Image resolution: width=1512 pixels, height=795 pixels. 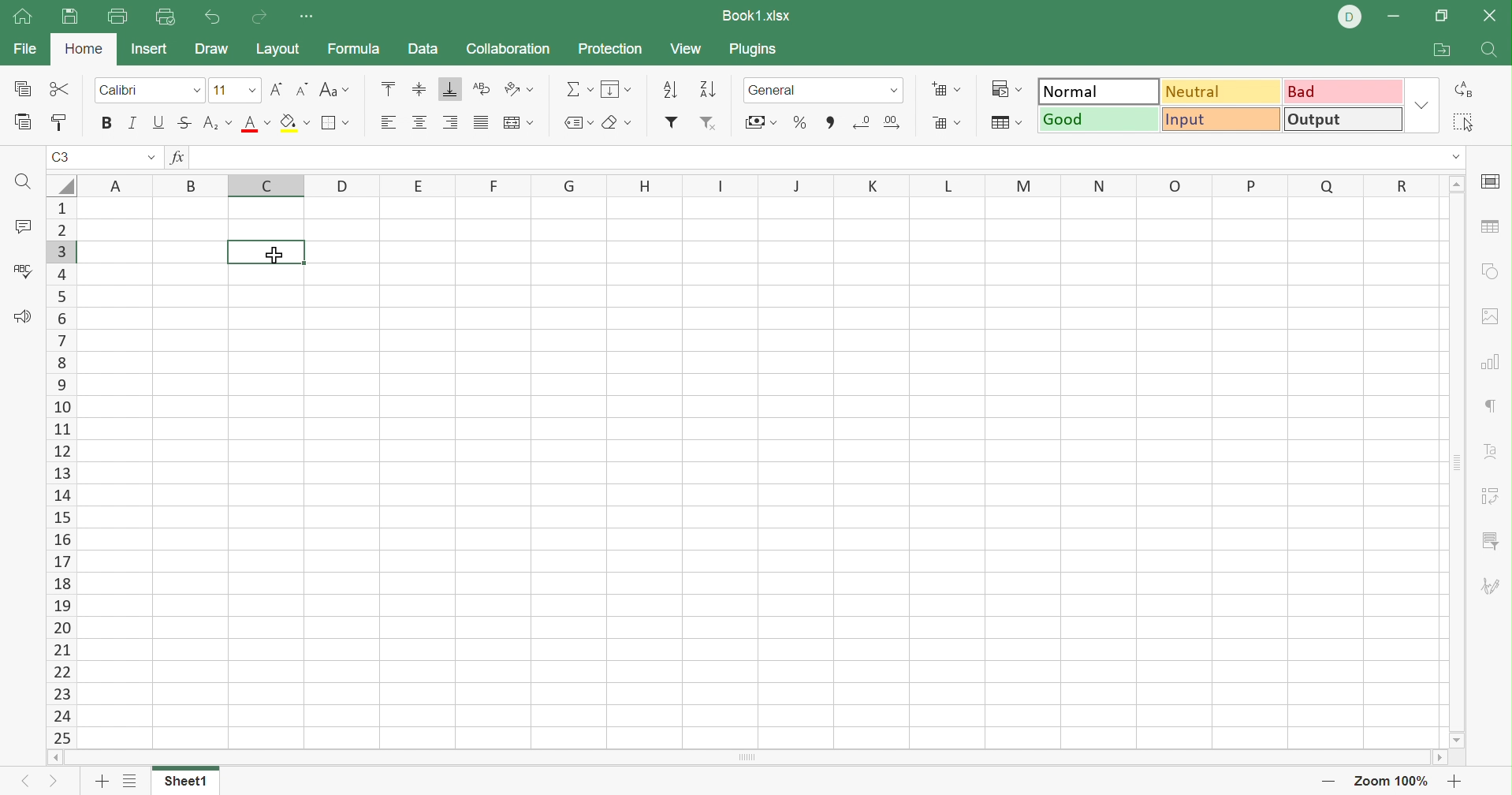 What do you see at coordinates (1458, 185) in the screenshot?
I see `Scroll Up` at bounding box center [1458, 185].